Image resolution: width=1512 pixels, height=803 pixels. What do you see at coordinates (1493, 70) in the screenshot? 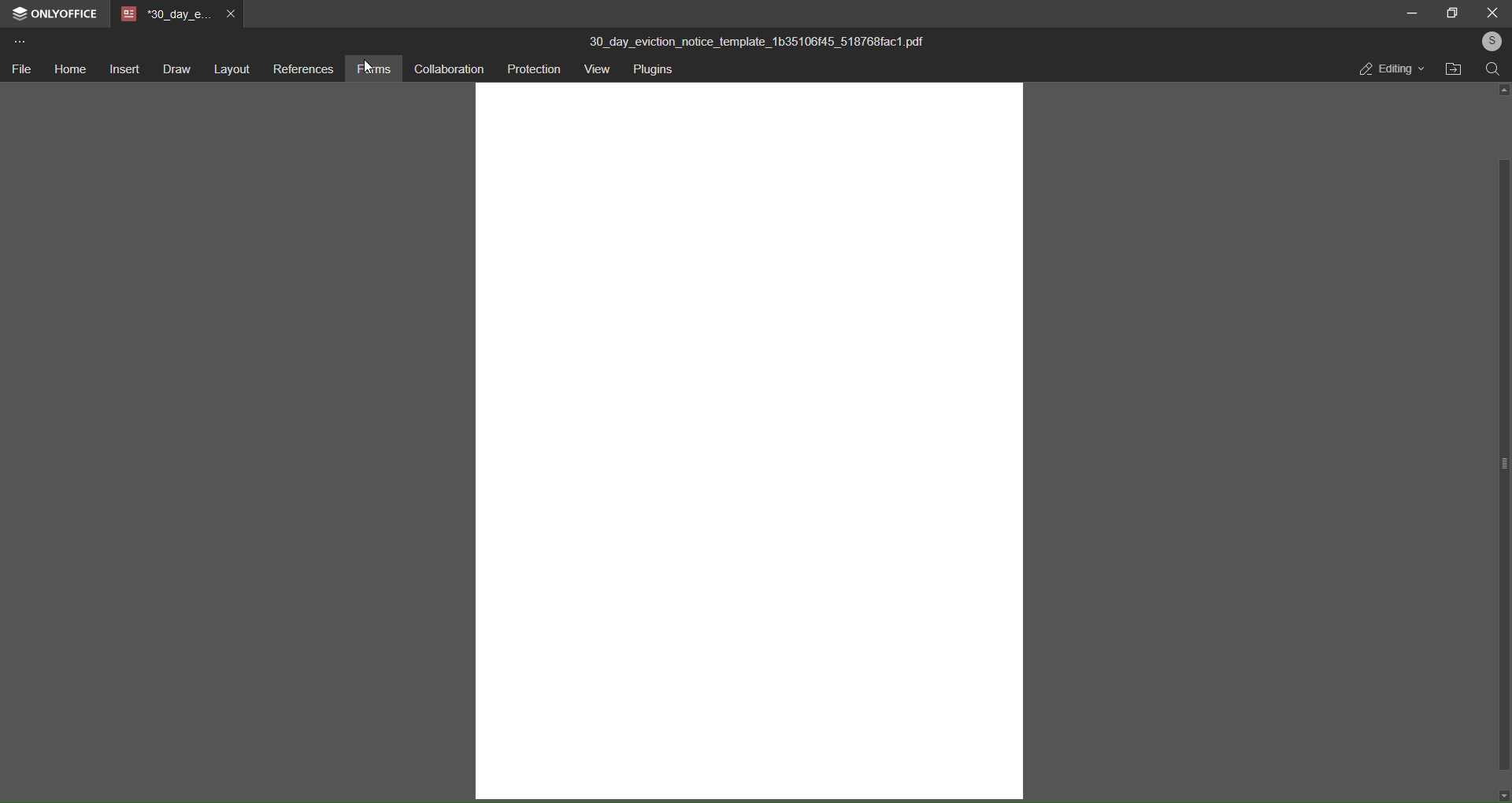
I see `search` at bounding box center [1493, 70].